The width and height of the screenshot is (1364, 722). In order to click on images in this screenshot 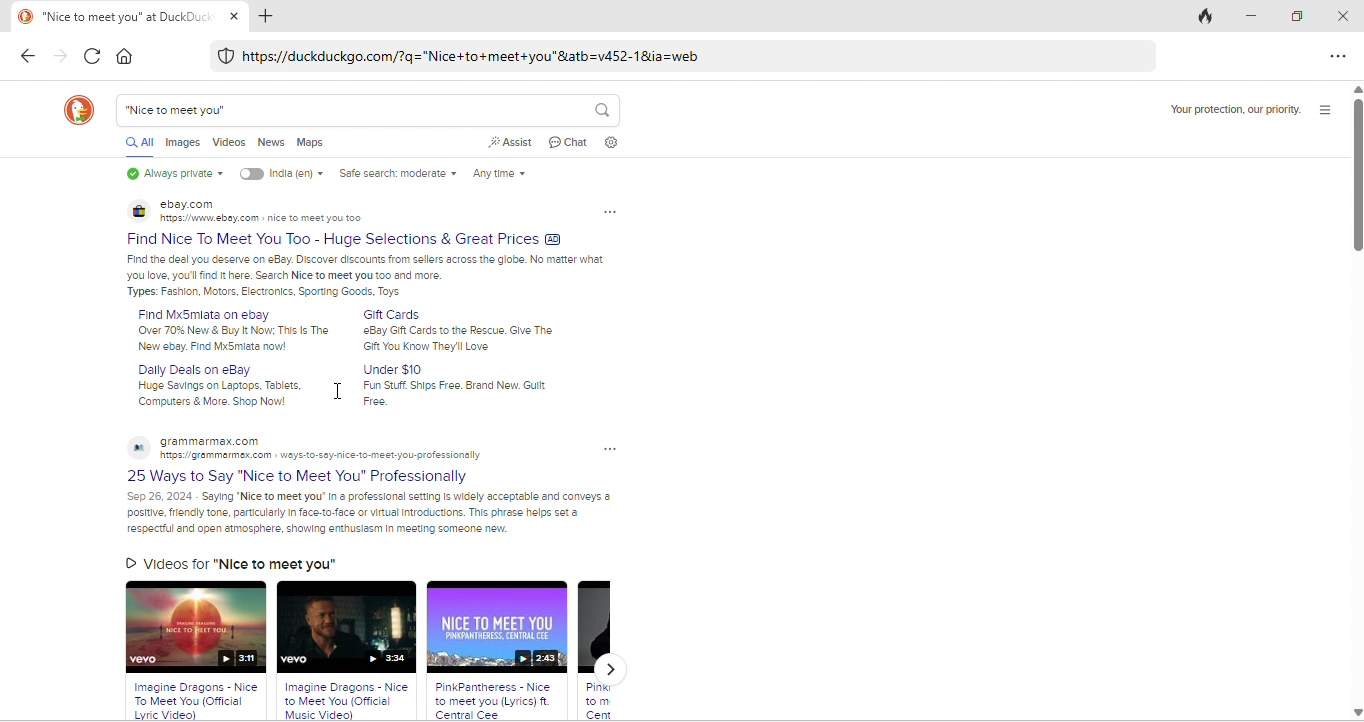, I will do `click(184, 143)`.